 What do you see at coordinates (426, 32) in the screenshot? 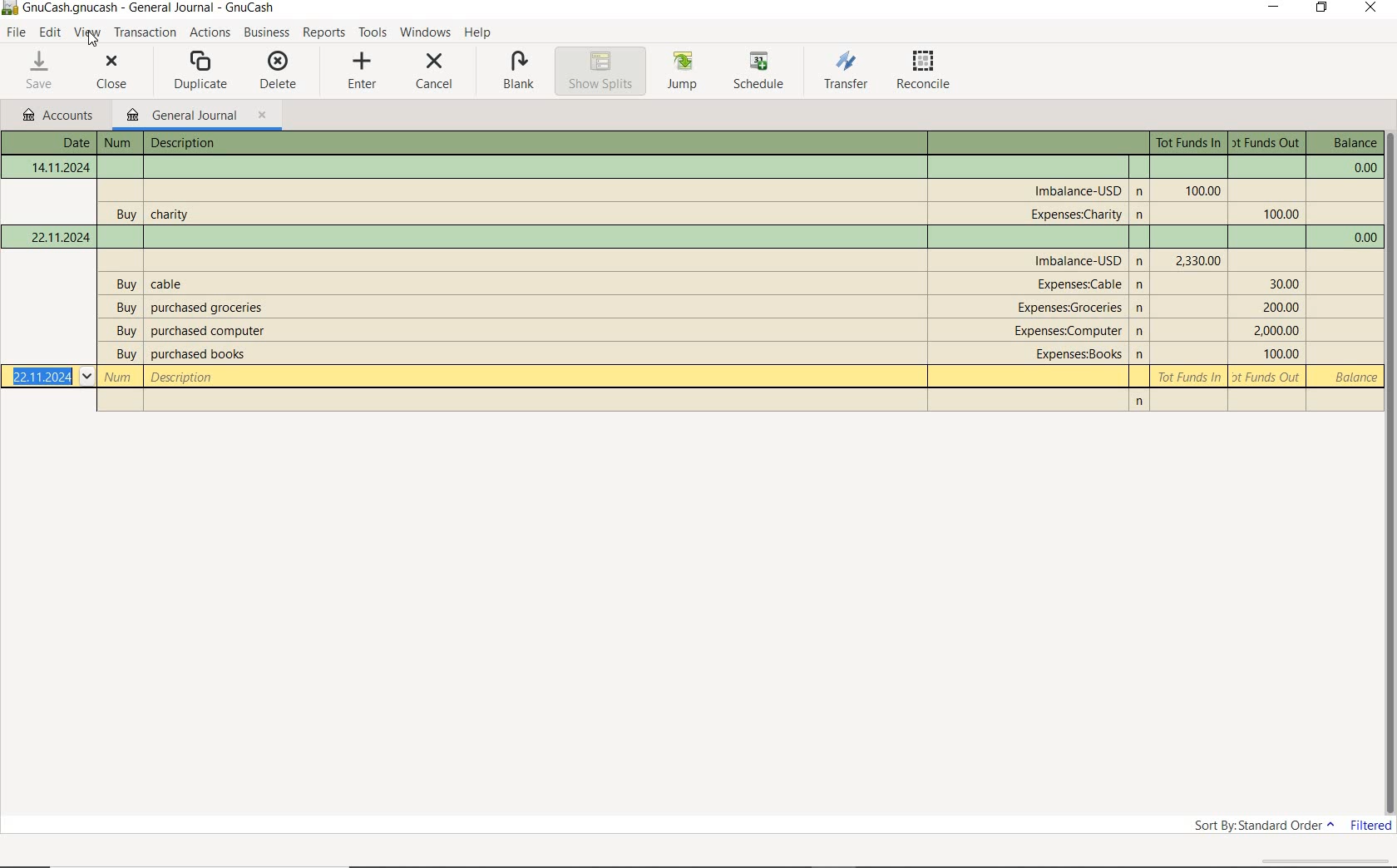
I see `WINDOWS` at bounding box center [426, 32].